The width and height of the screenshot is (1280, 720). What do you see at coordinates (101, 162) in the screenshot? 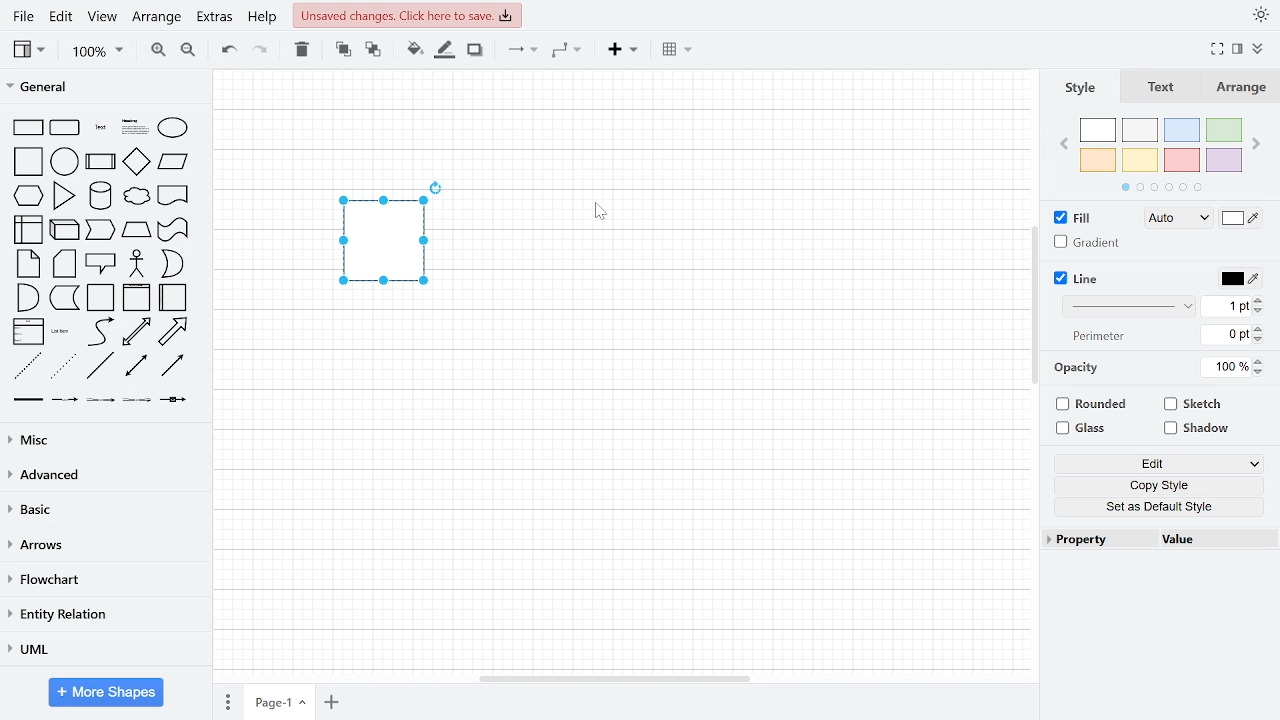
I see `process` at bounding box center [101, 162].